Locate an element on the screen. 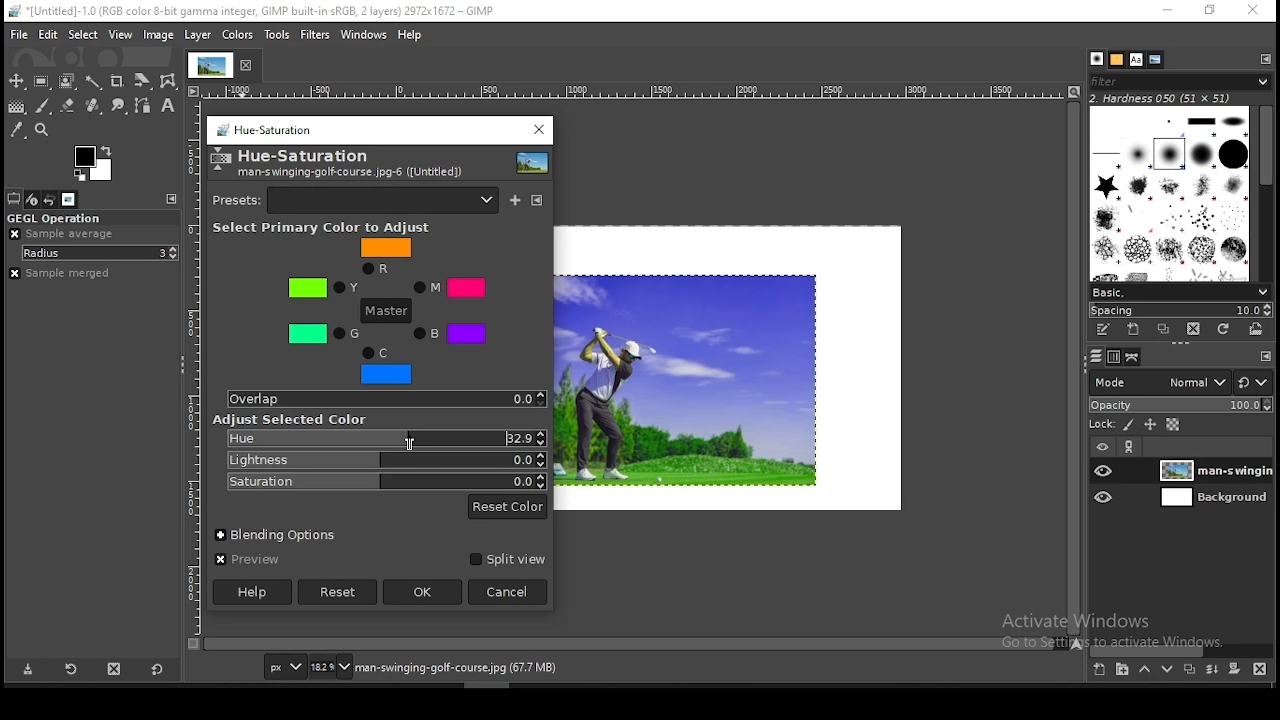 The width and height of the screenshot is (1280, 720). man-swinging-golf-course.jpg (67.7 mb) is located at coordinates (458, 669).